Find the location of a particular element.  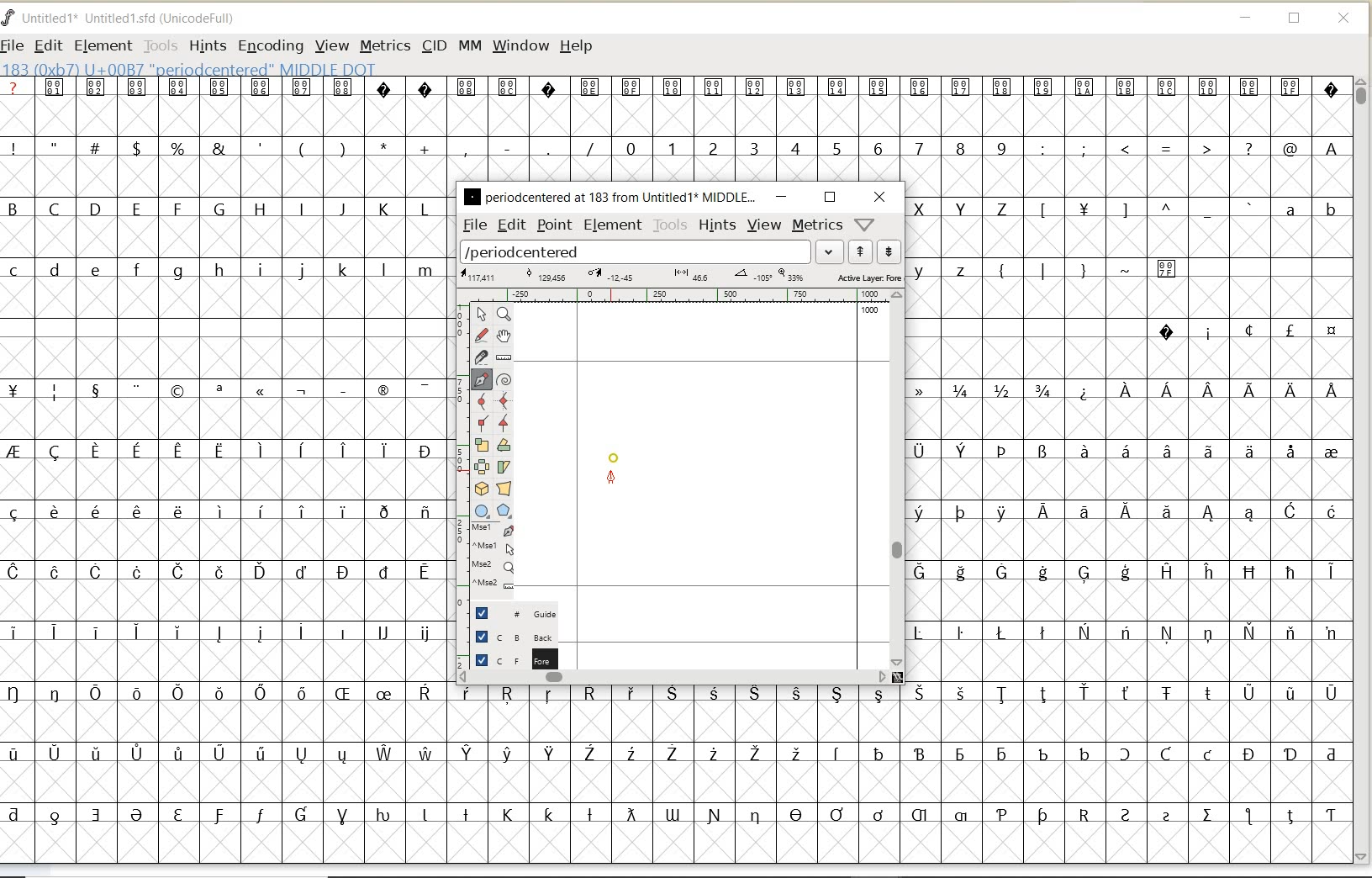

CID is located at coordinates (434, 48).